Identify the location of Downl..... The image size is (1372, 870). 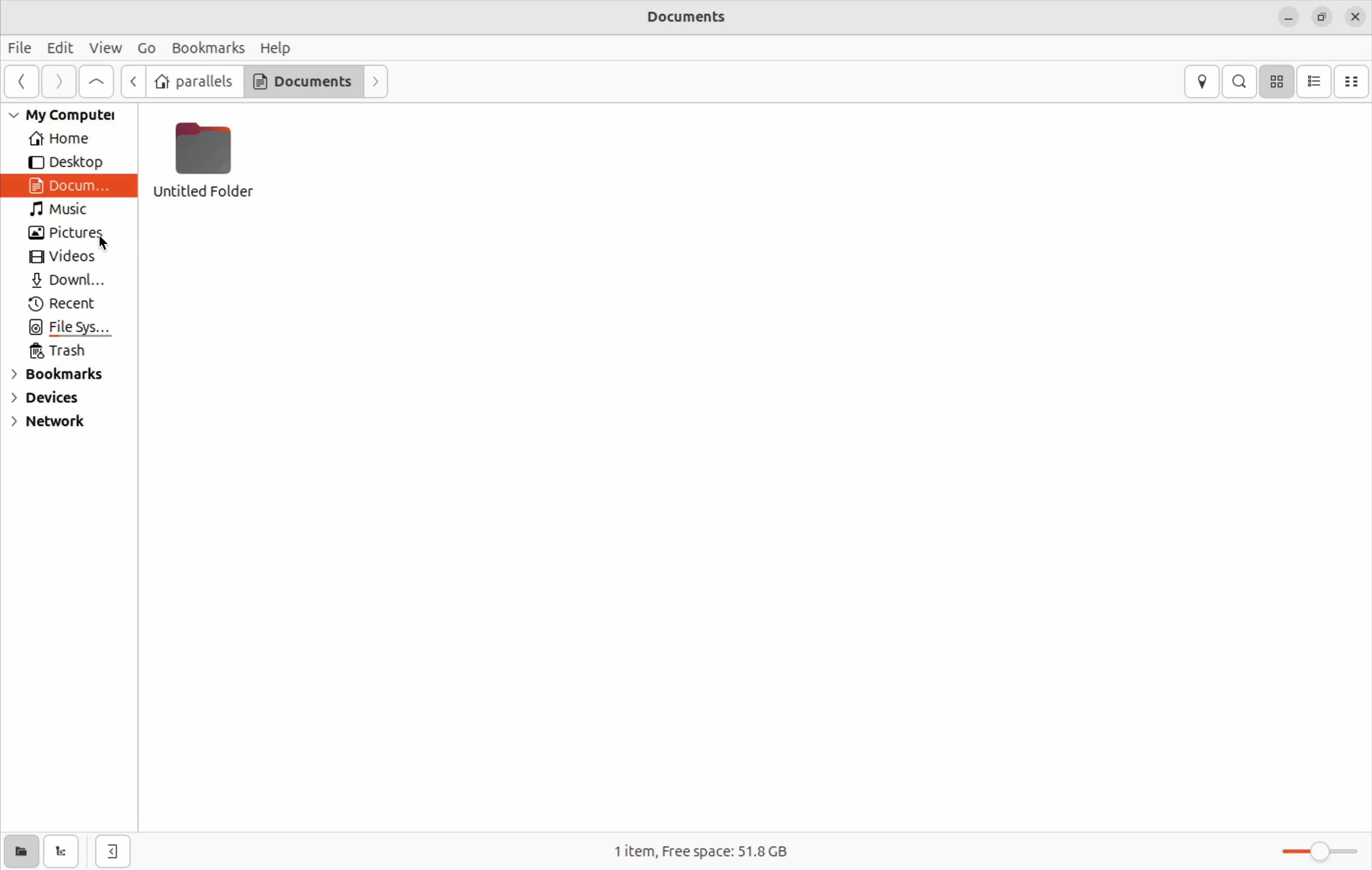
(64, 280).